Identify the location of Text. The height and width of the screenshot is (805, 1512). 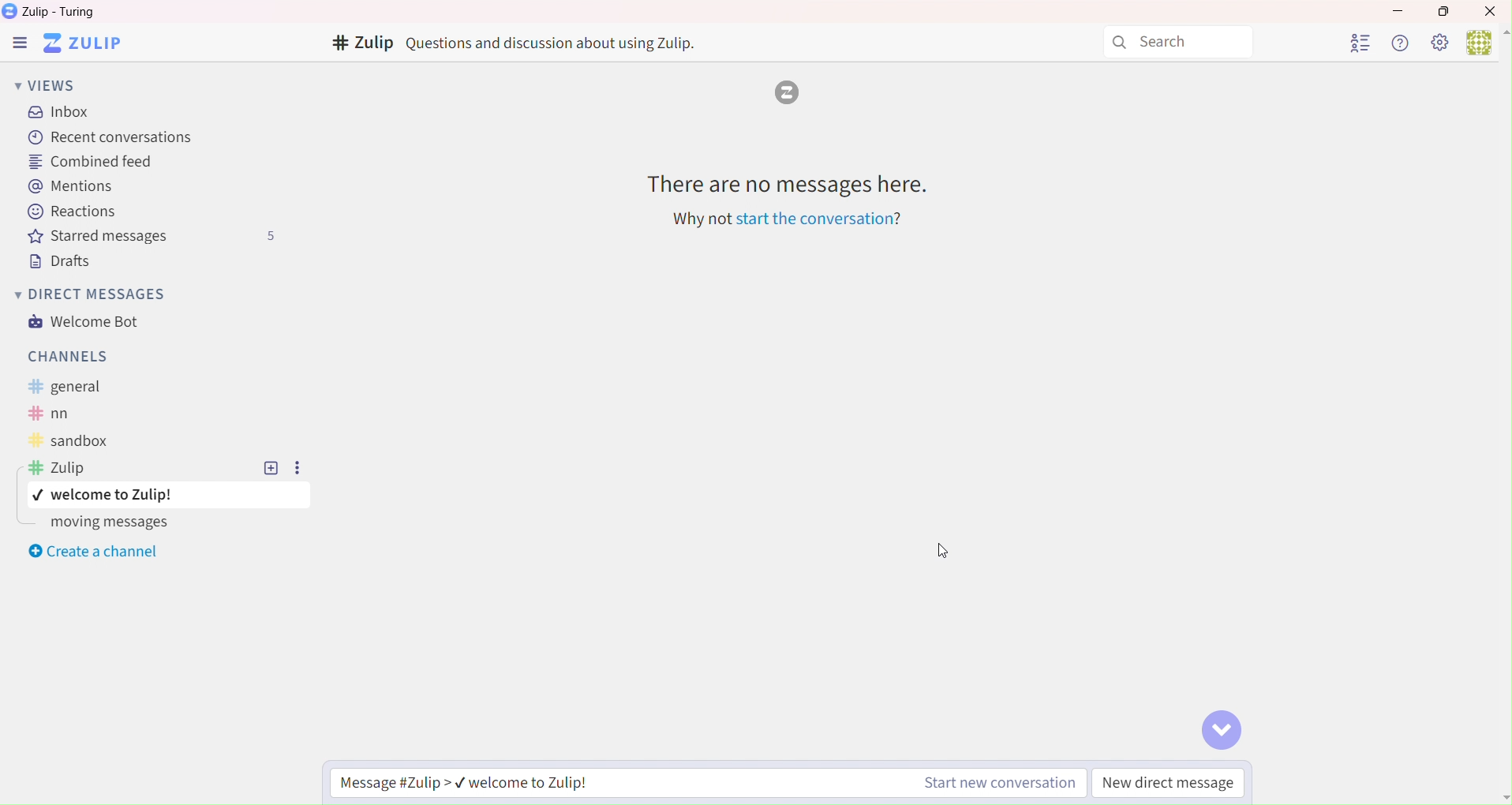
(77, 386).